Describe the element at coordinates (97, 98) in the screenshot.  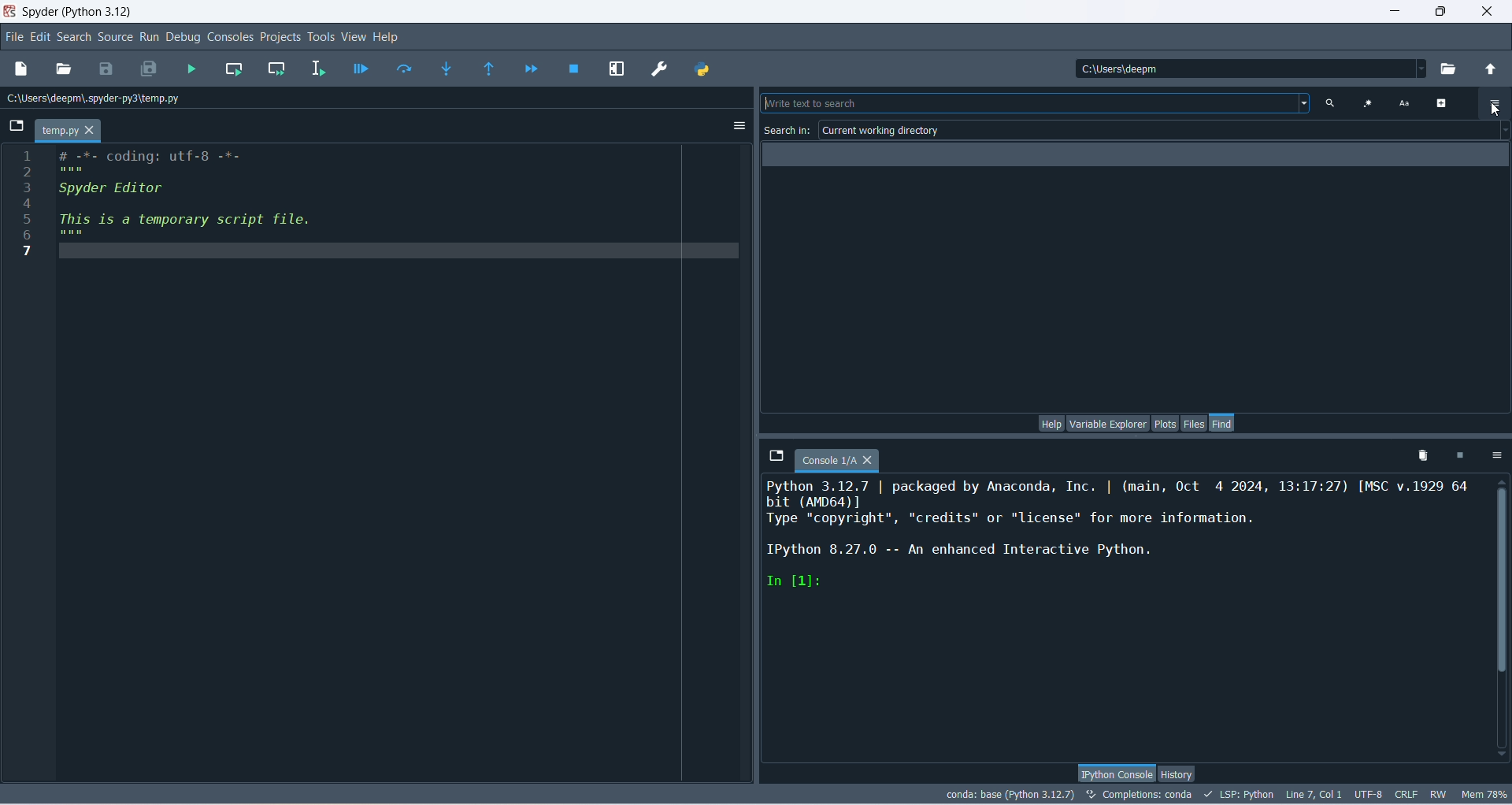
I see `location` at that location.